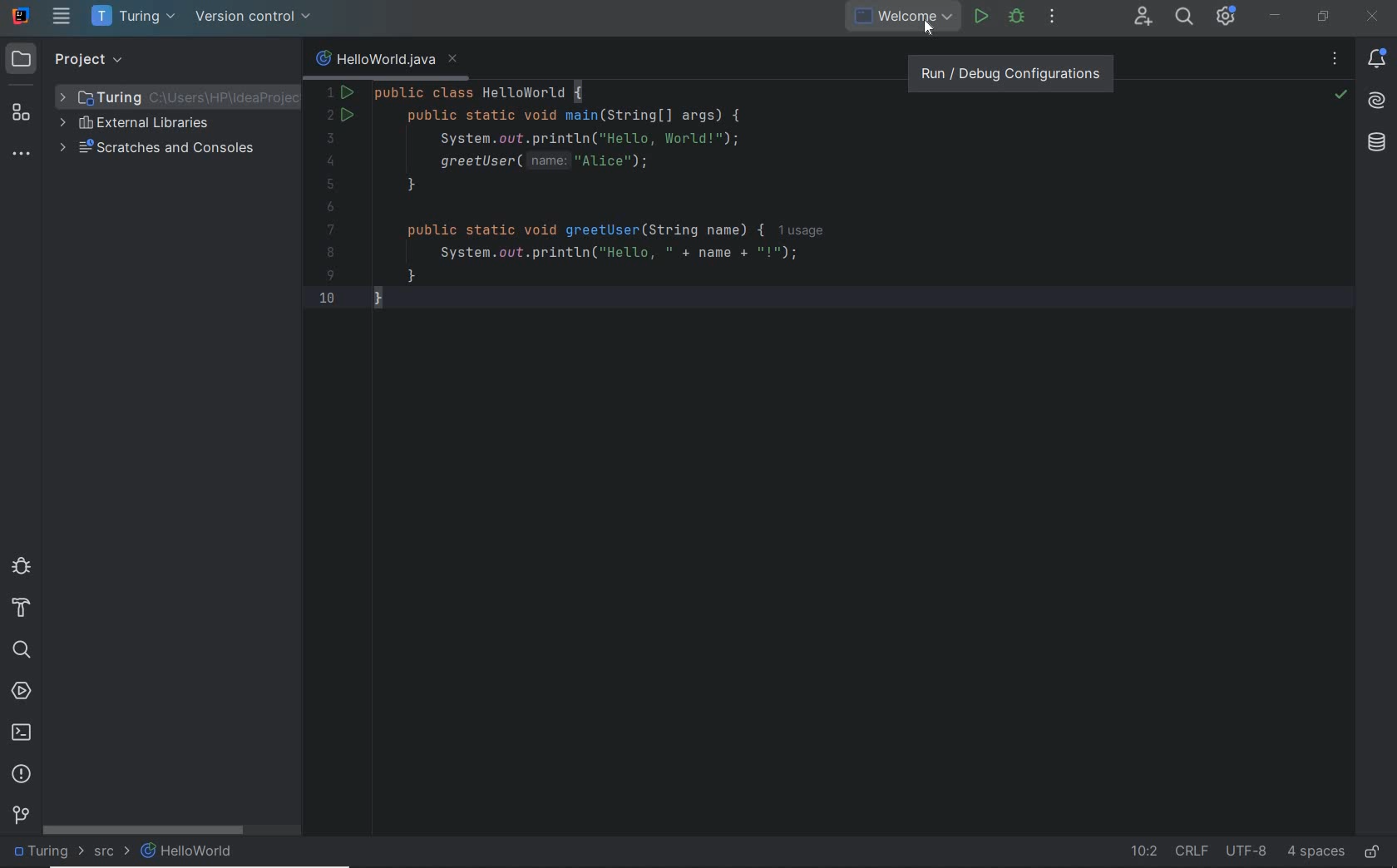  I want to click on external libraries, so click(134, 125).